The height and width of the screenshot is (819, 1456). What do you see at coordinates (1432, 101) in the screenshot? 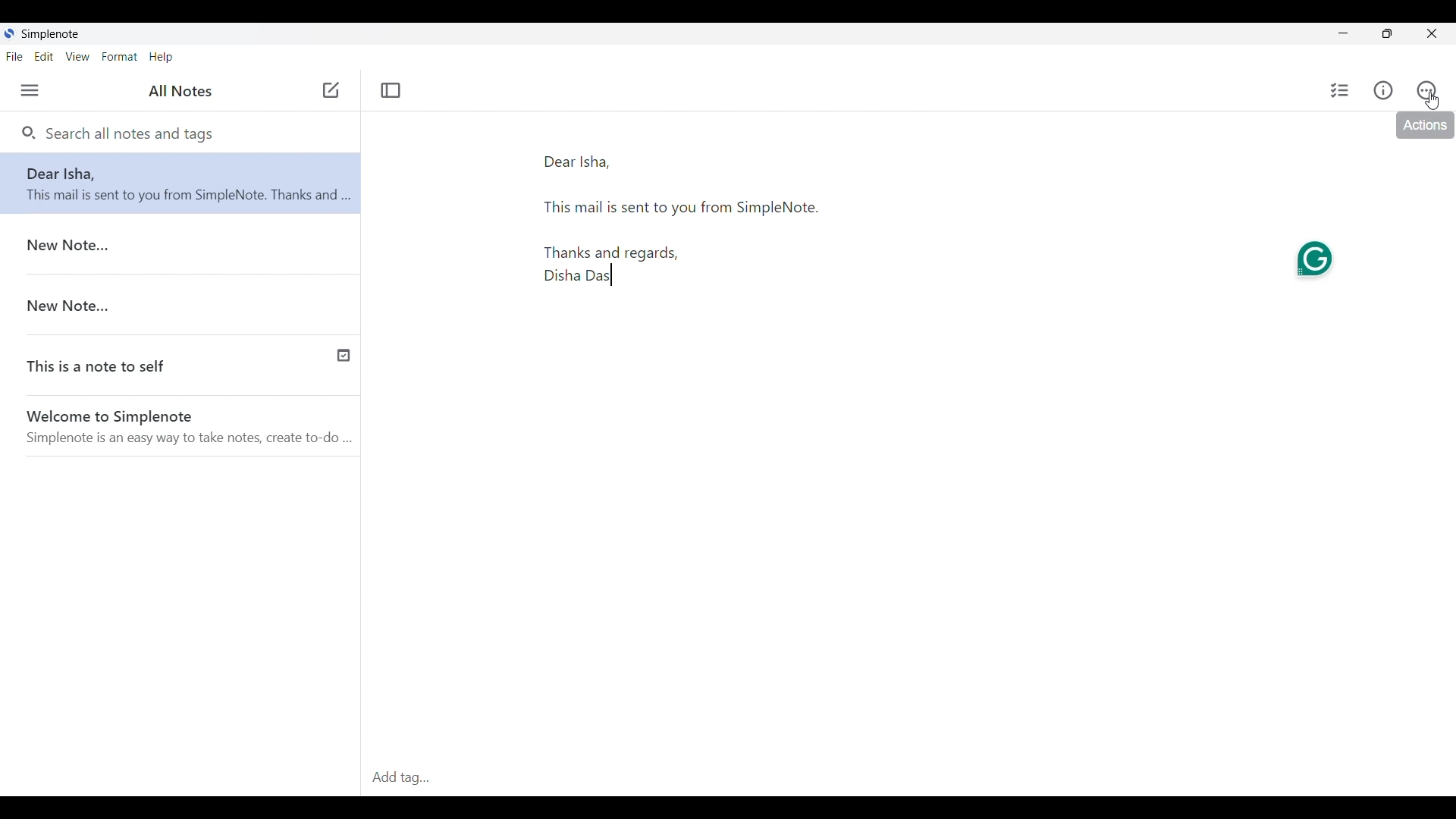
I see `Cursor` at bounding box center [1432, 101].